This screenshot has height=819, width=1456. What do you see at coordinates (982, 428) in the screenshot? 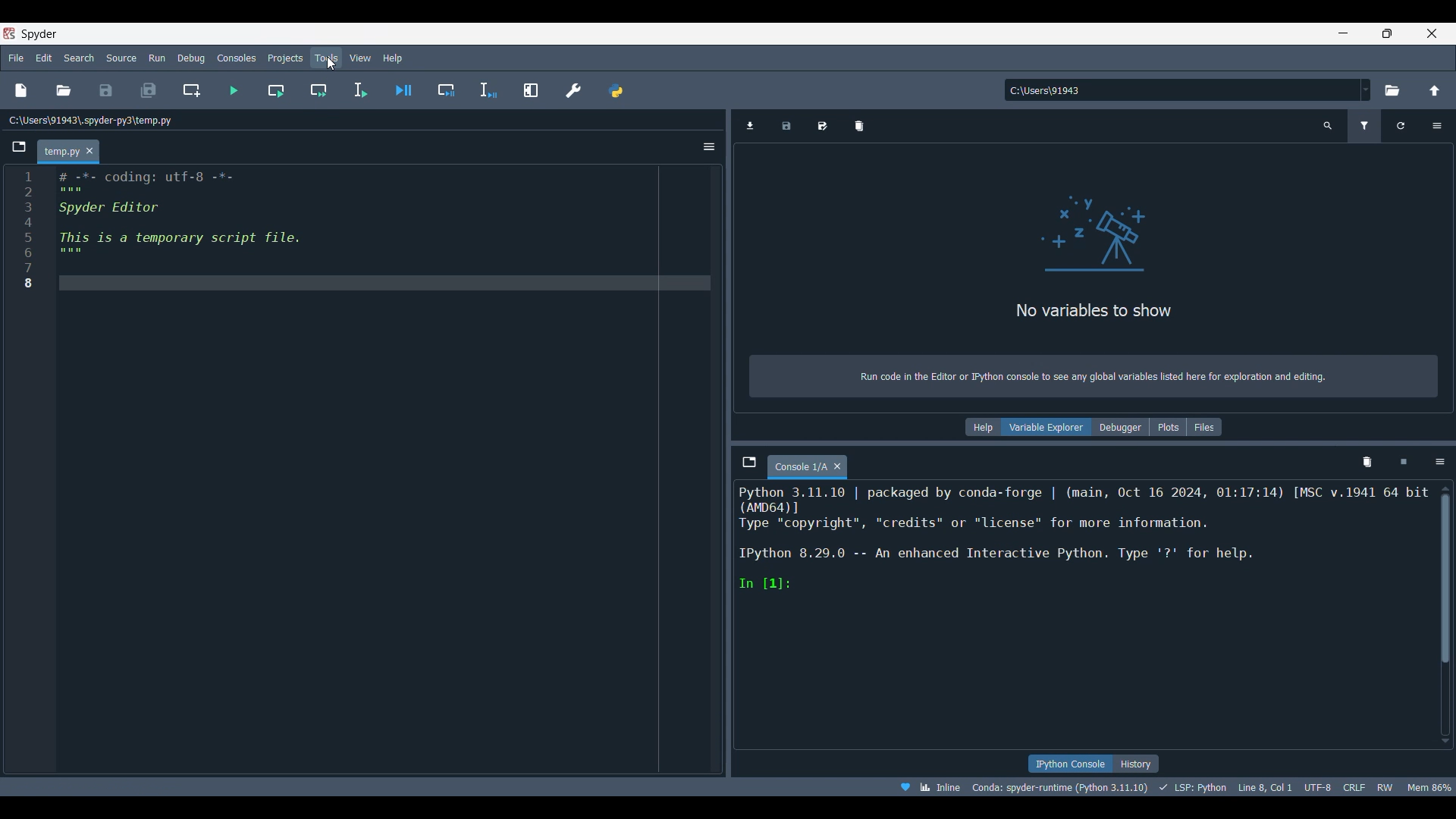
I see `Help` at bounding box center [982, 428].